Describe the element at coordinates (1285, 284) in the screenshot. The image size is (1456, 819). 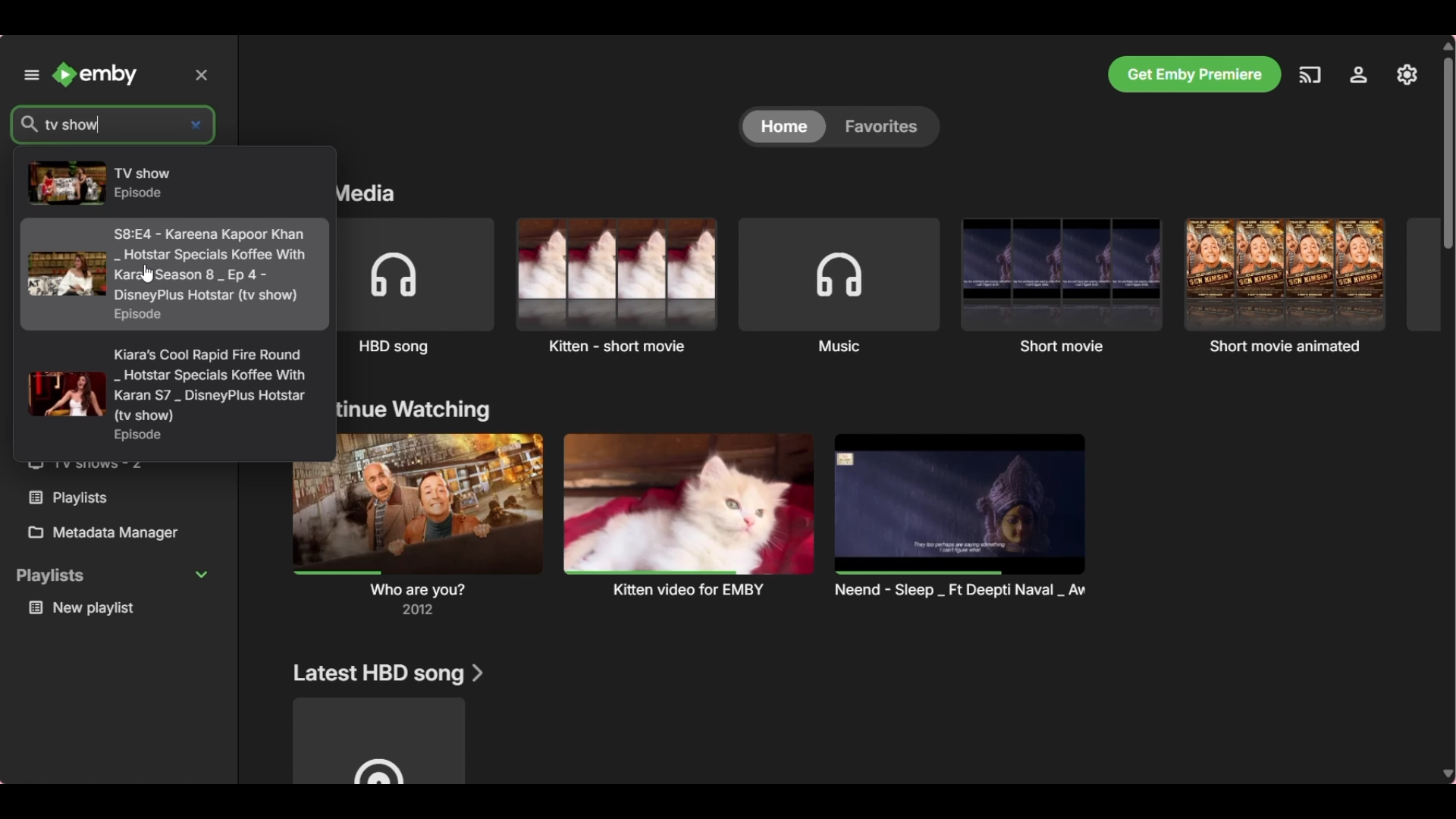
I see `Short movie animated` at that location.